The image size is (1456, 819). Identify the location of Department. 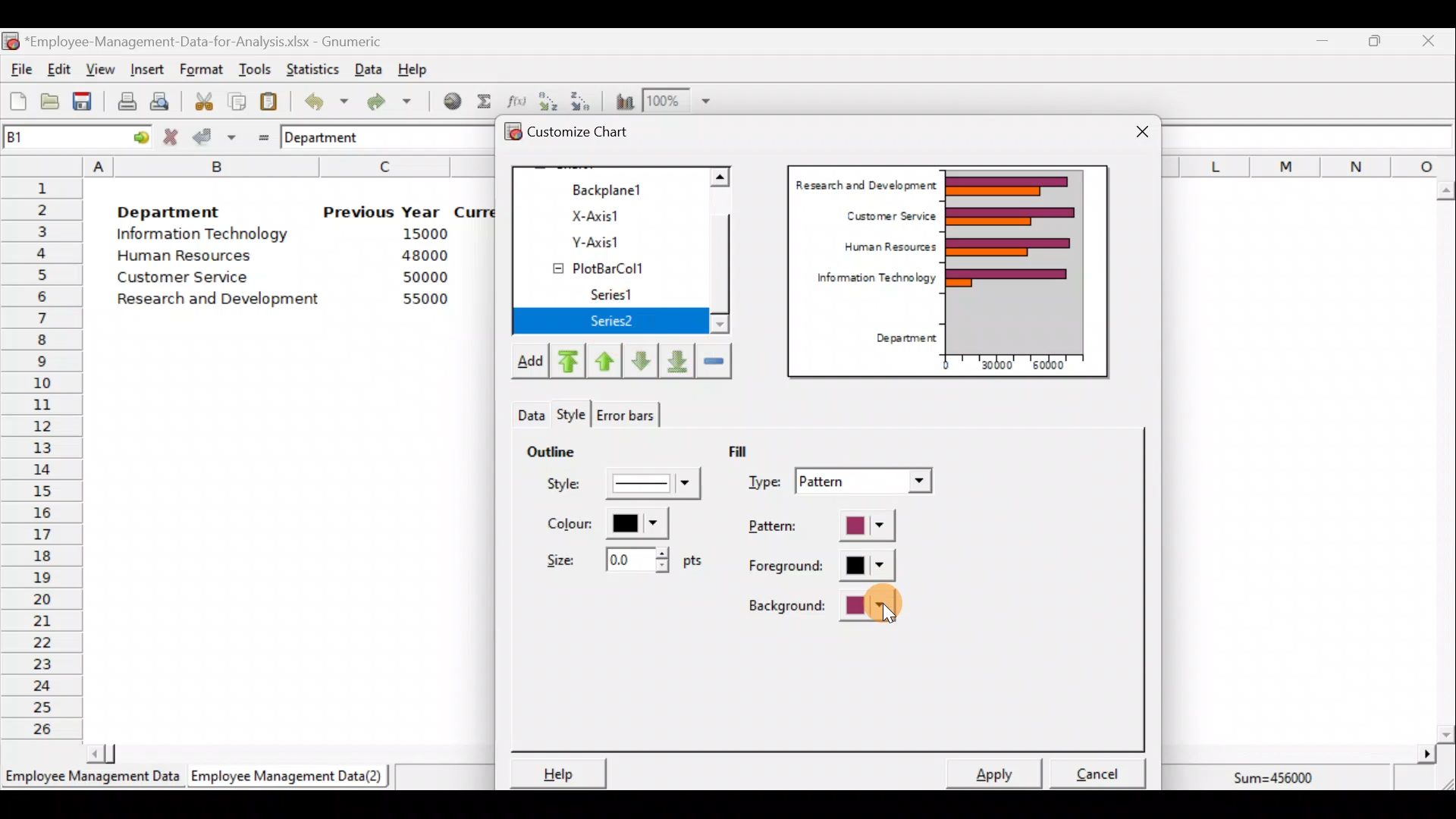
(168, 208).